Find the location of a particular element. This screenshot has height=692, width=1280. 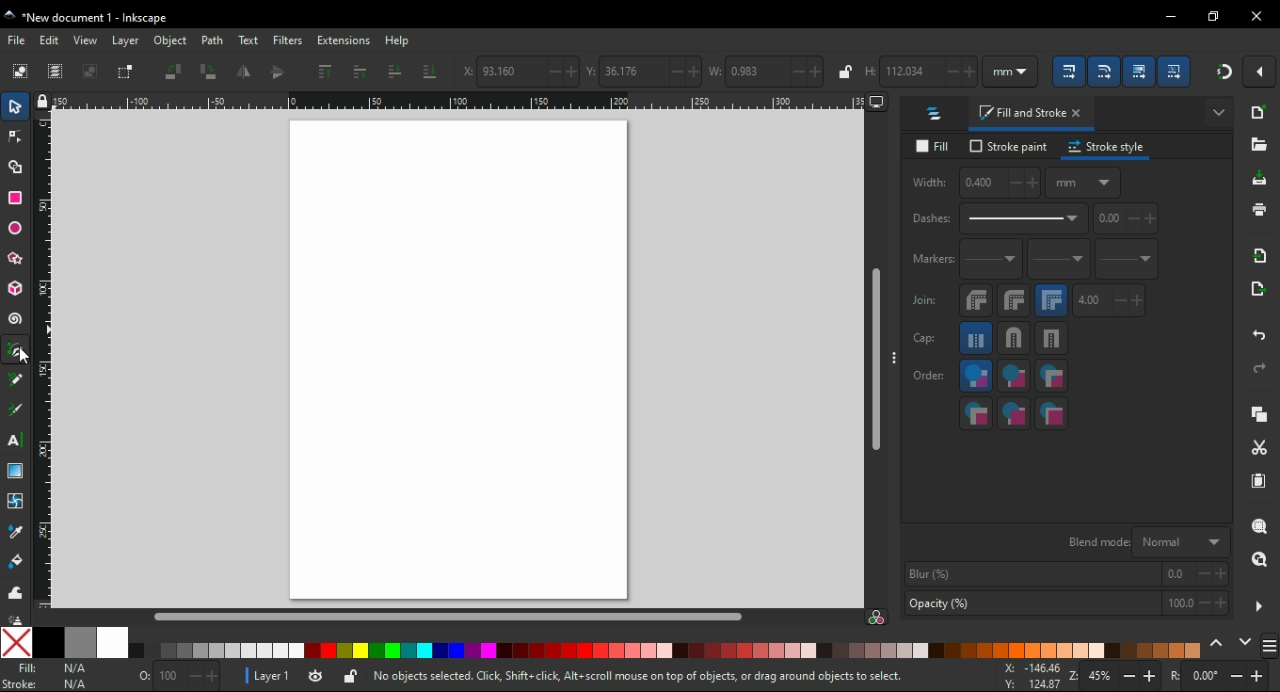

shape builder tool is located at coordinates (13, 167).